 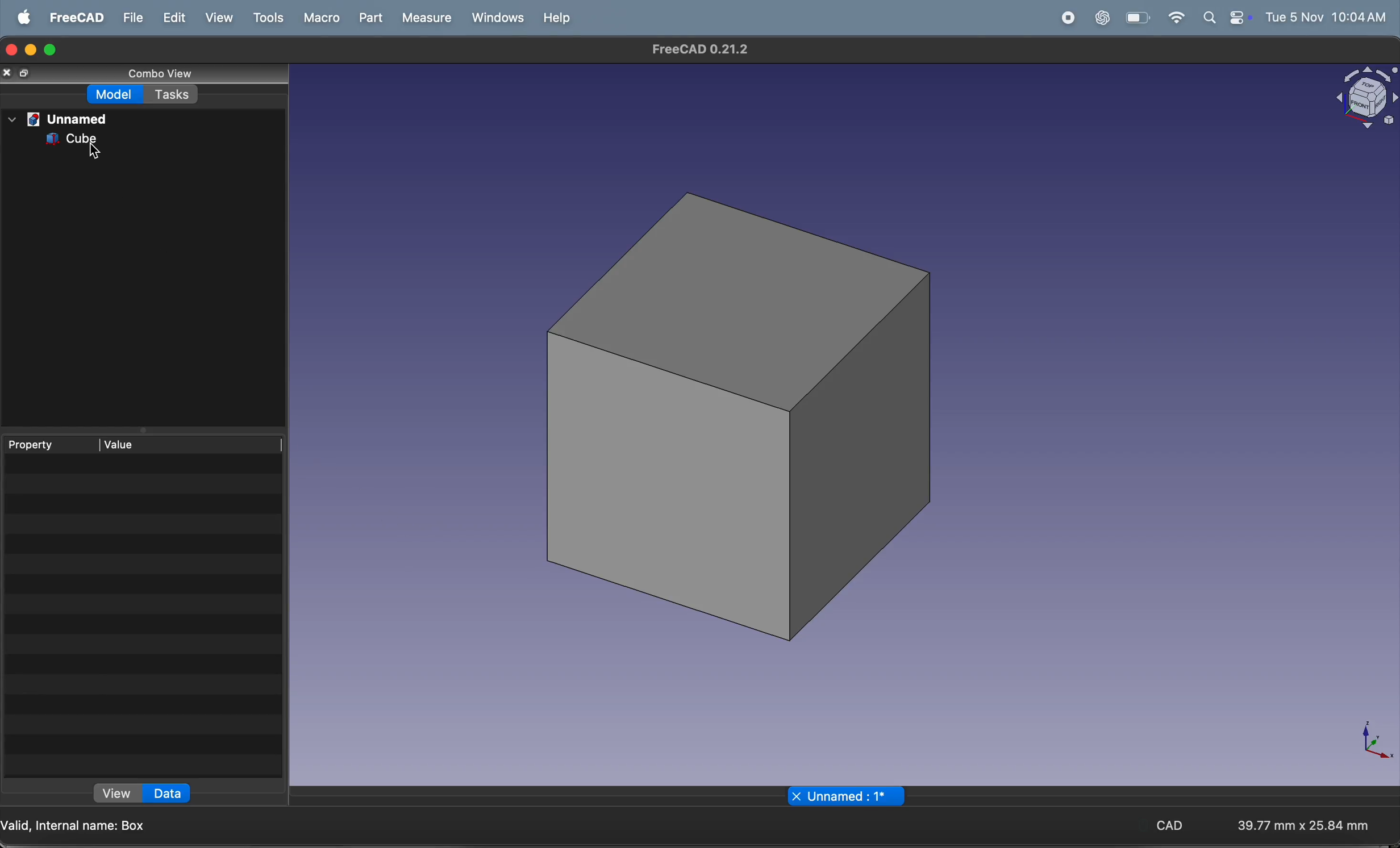 What do you see at coordinates (76, 17) in the screenshot?
I see `freecad` at bounding box center [76, 17].